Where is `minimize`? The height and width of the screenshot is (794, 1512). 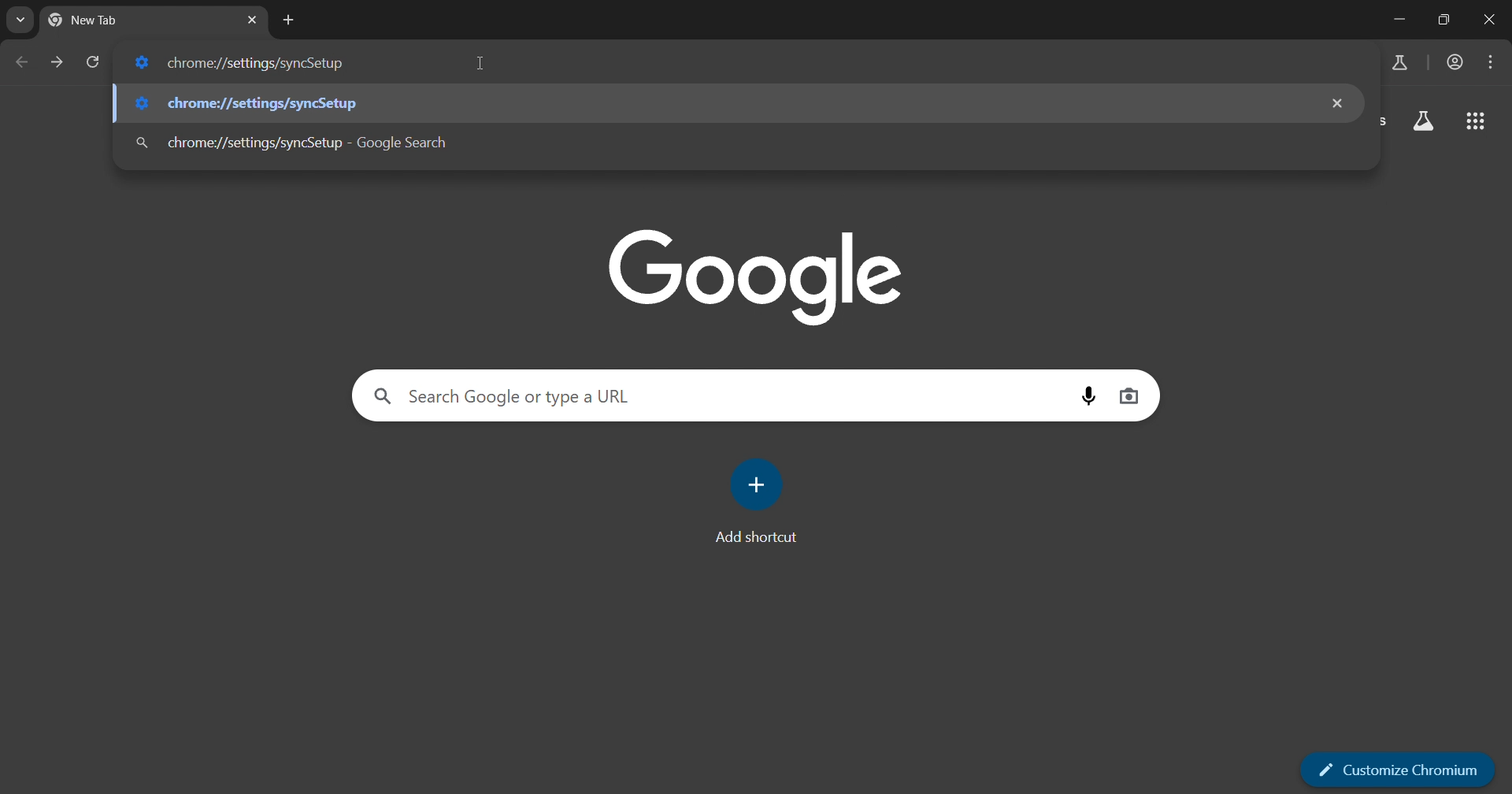 minimize is located at coordinates (1395, 20).